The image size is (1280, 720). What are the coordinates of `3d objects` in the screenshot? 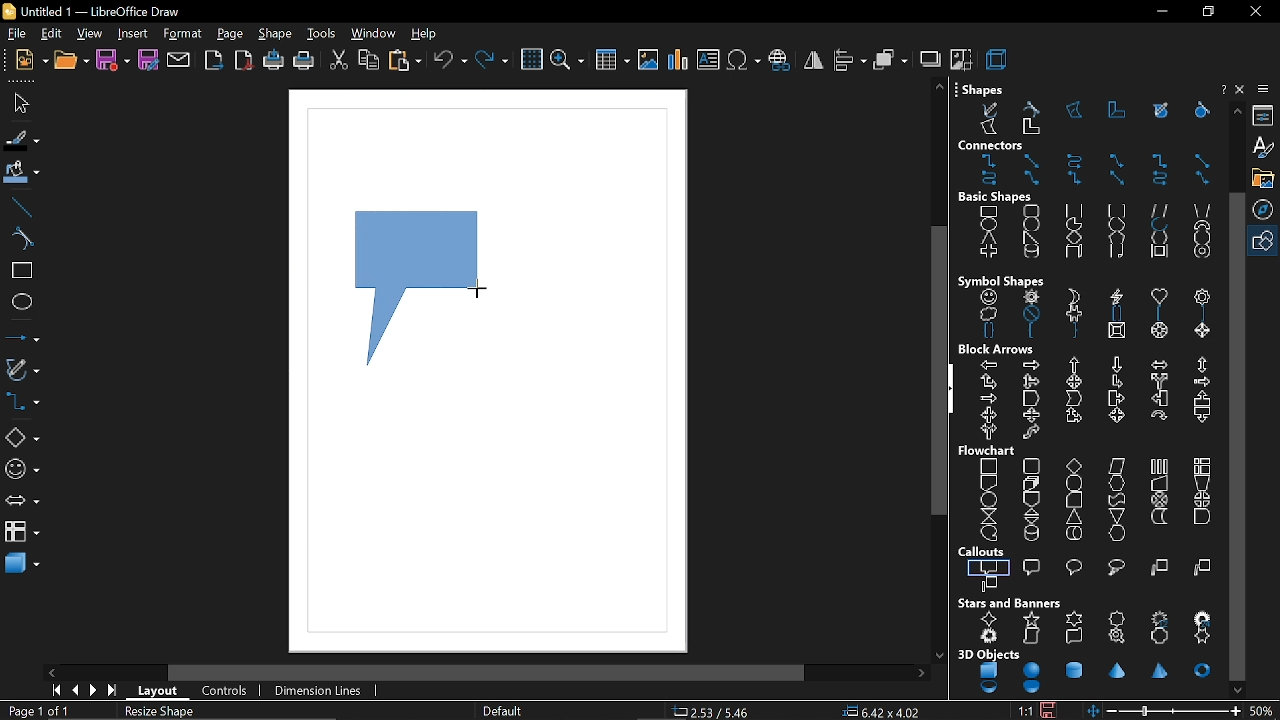 It's located at (988, 654).